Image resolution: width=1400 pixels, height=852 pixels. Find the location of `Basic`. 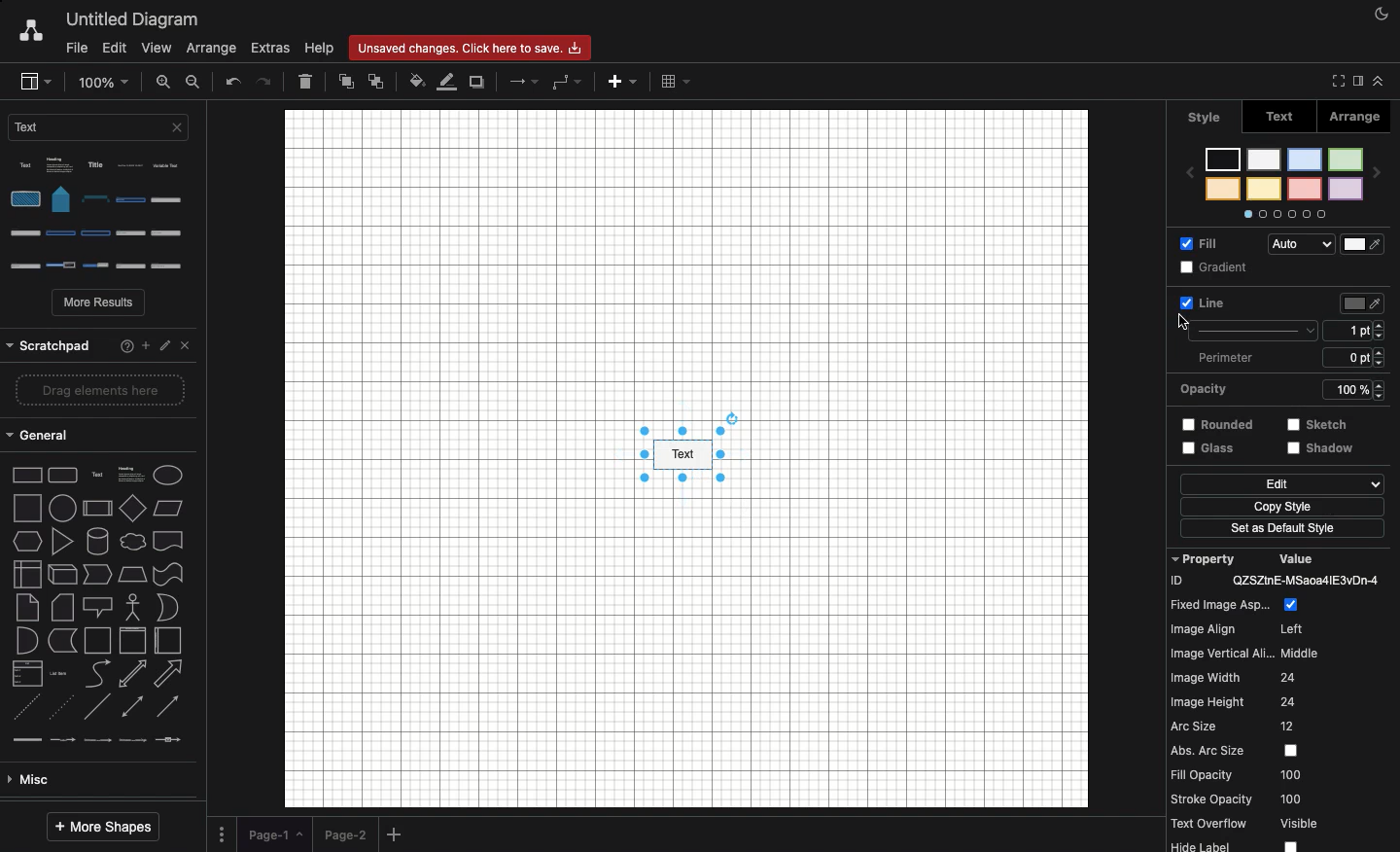

Basic is located at coordinates (98, 673).